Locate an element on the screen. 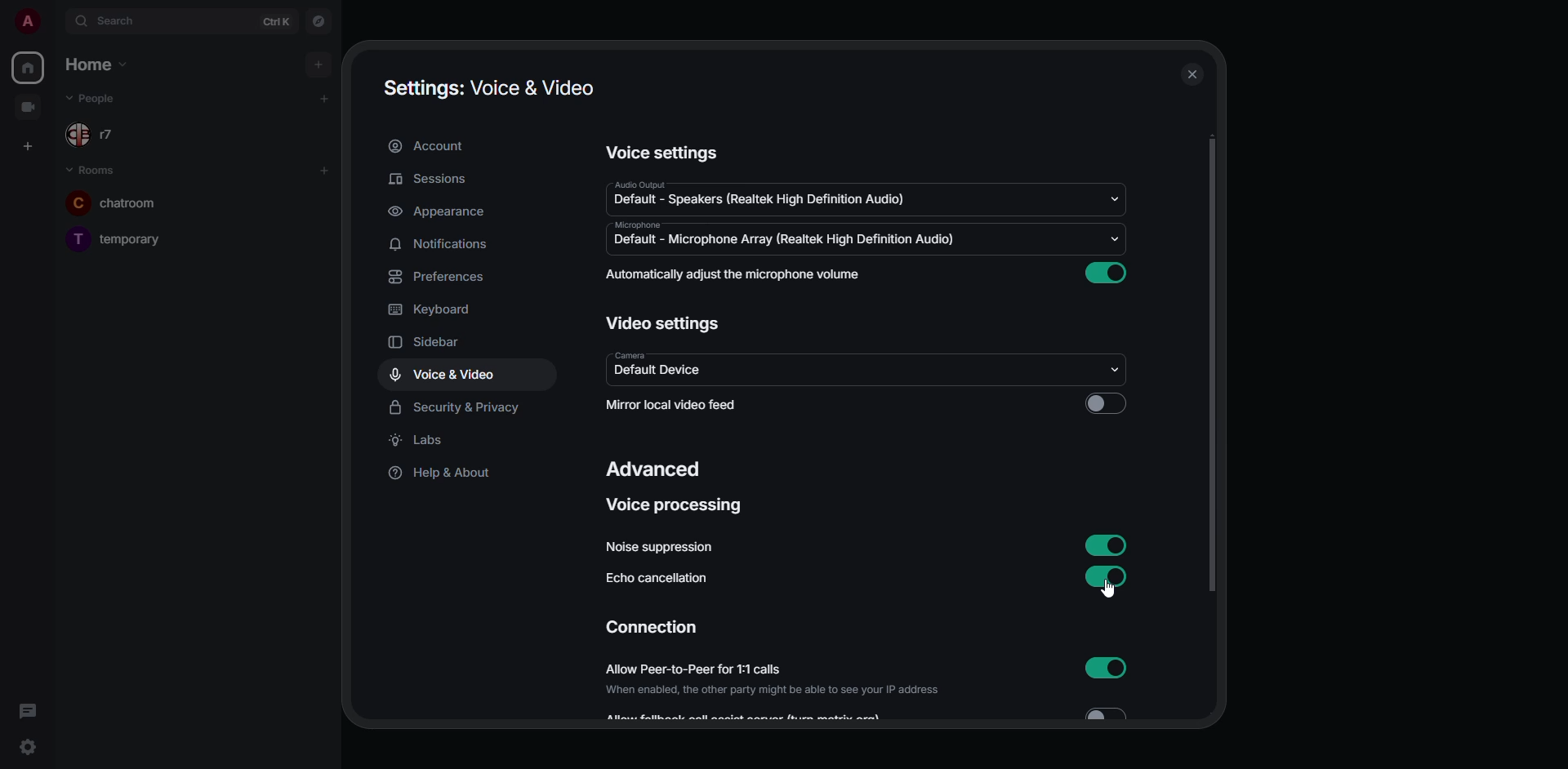 This screenshot has width=1568, height=769. people is located at coordinates (95, 100).